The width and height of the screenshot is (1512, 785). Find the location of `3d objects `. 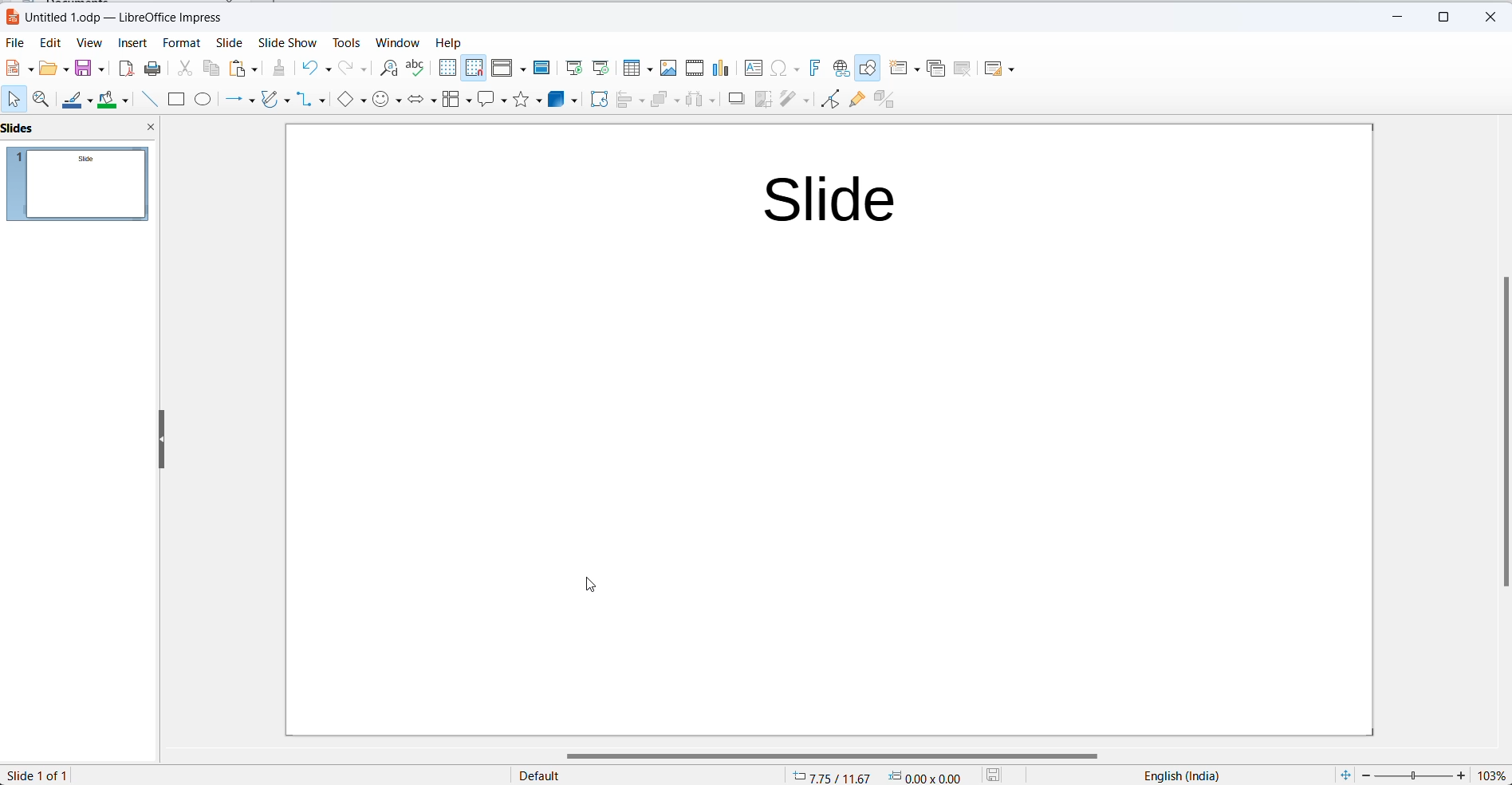

3d objects  is located at coordinates (563, 102).